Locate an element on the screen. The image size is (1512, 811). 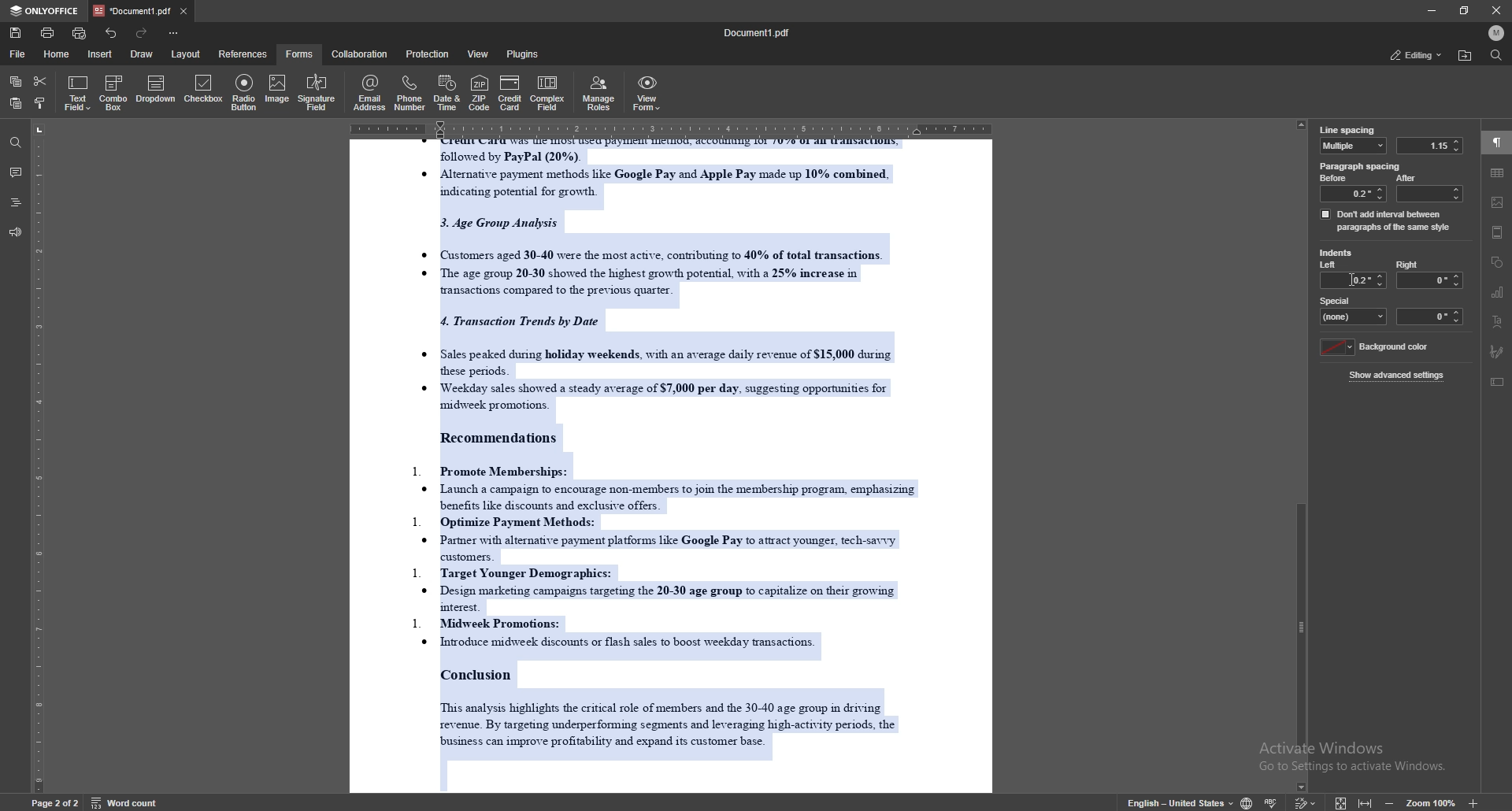
forms is located at coordinates (301, 54).